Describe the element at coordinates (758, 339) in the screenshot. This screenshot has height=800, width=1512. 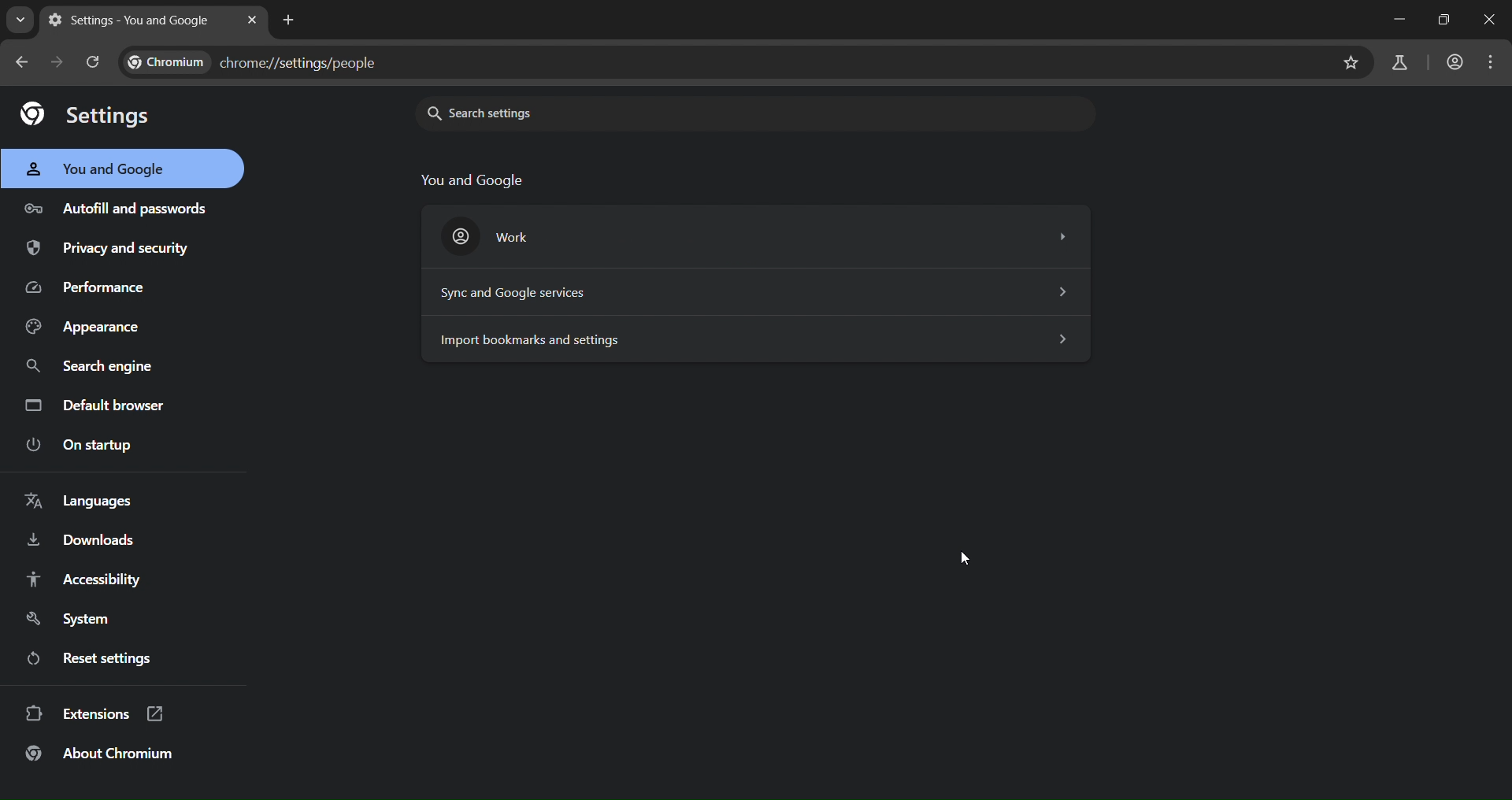
I see `import bookmarks and settings` at that location.